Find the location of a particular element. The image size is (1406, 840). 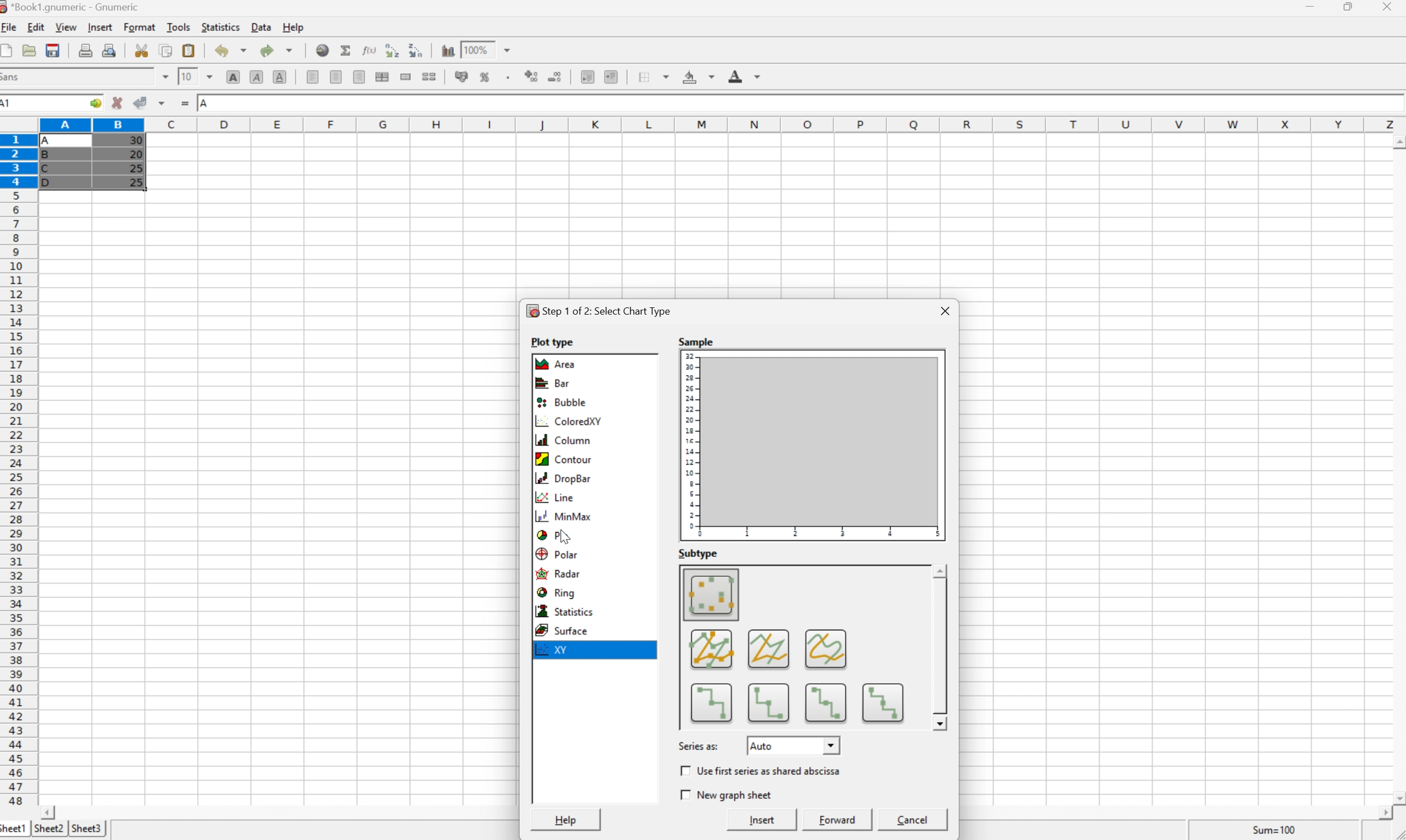

Radar is located at coordinates (558, 573).